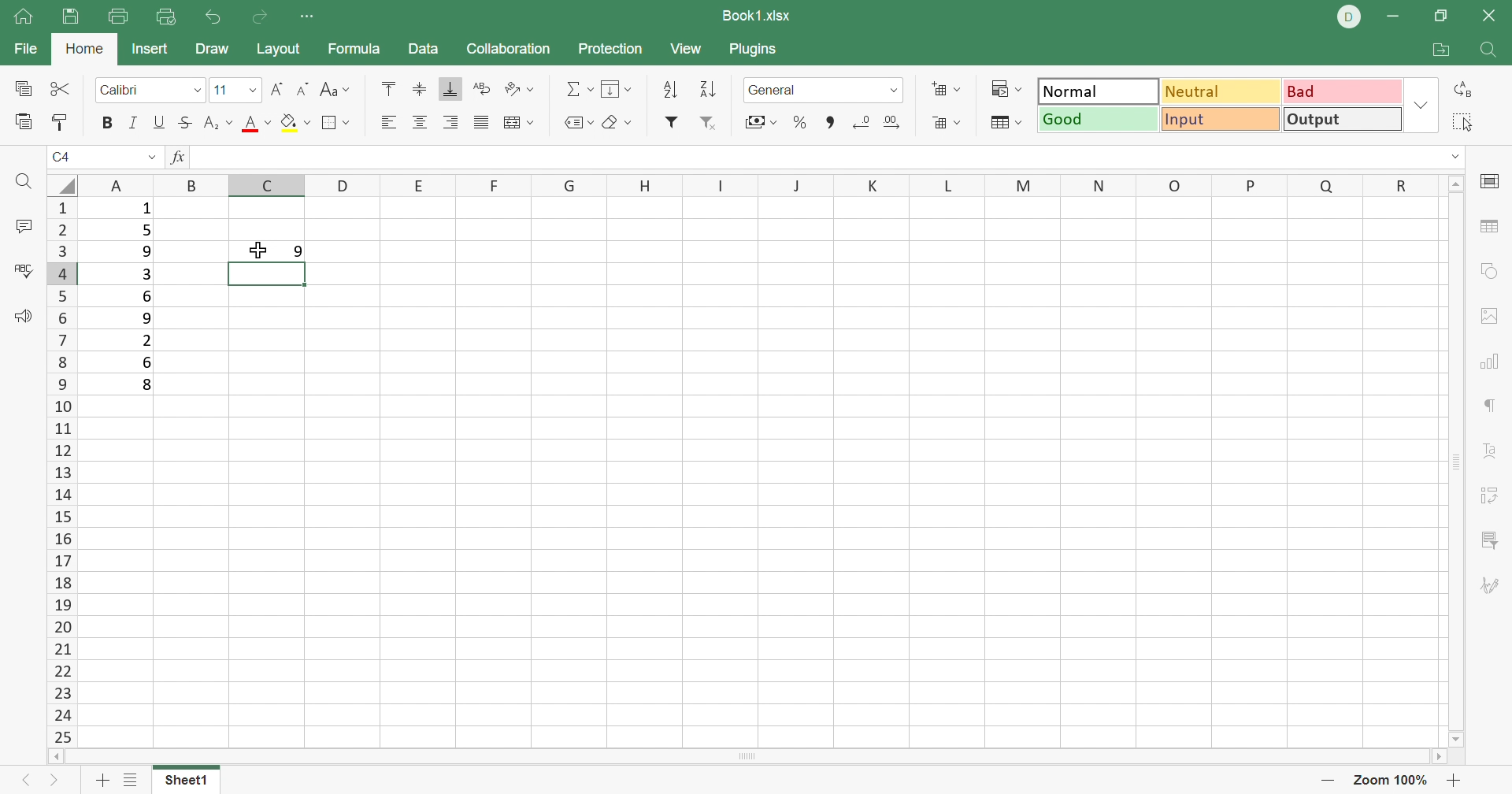  What do you see at coordinates (102, 782) in the screenshot?
I see `Add sheet` at bounding box center [102, 782].